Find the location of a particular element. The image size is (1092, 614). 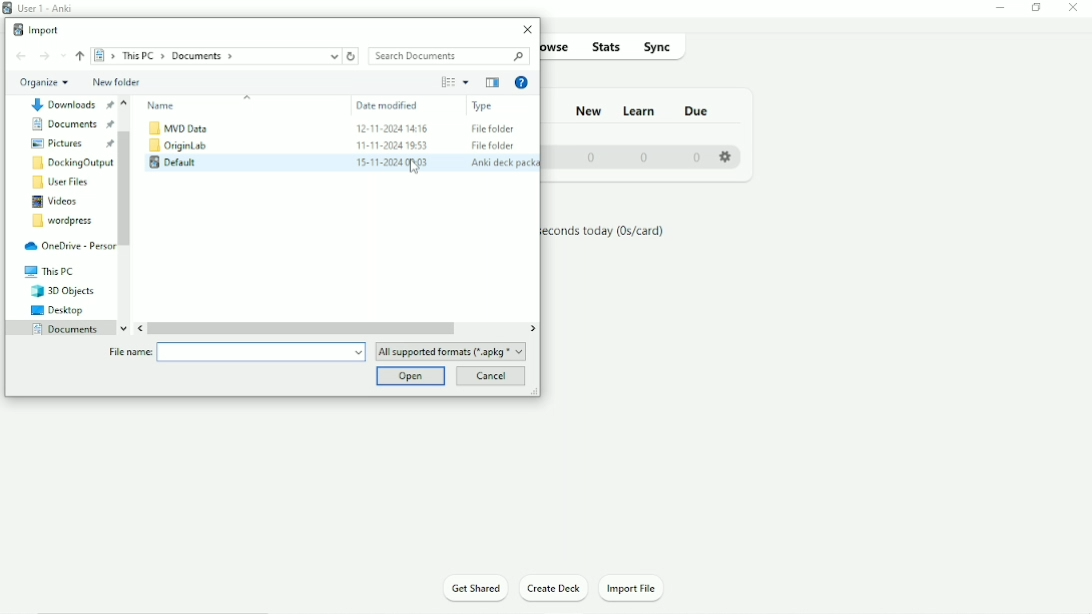

Restore down is located at coordinates (1036, 8).